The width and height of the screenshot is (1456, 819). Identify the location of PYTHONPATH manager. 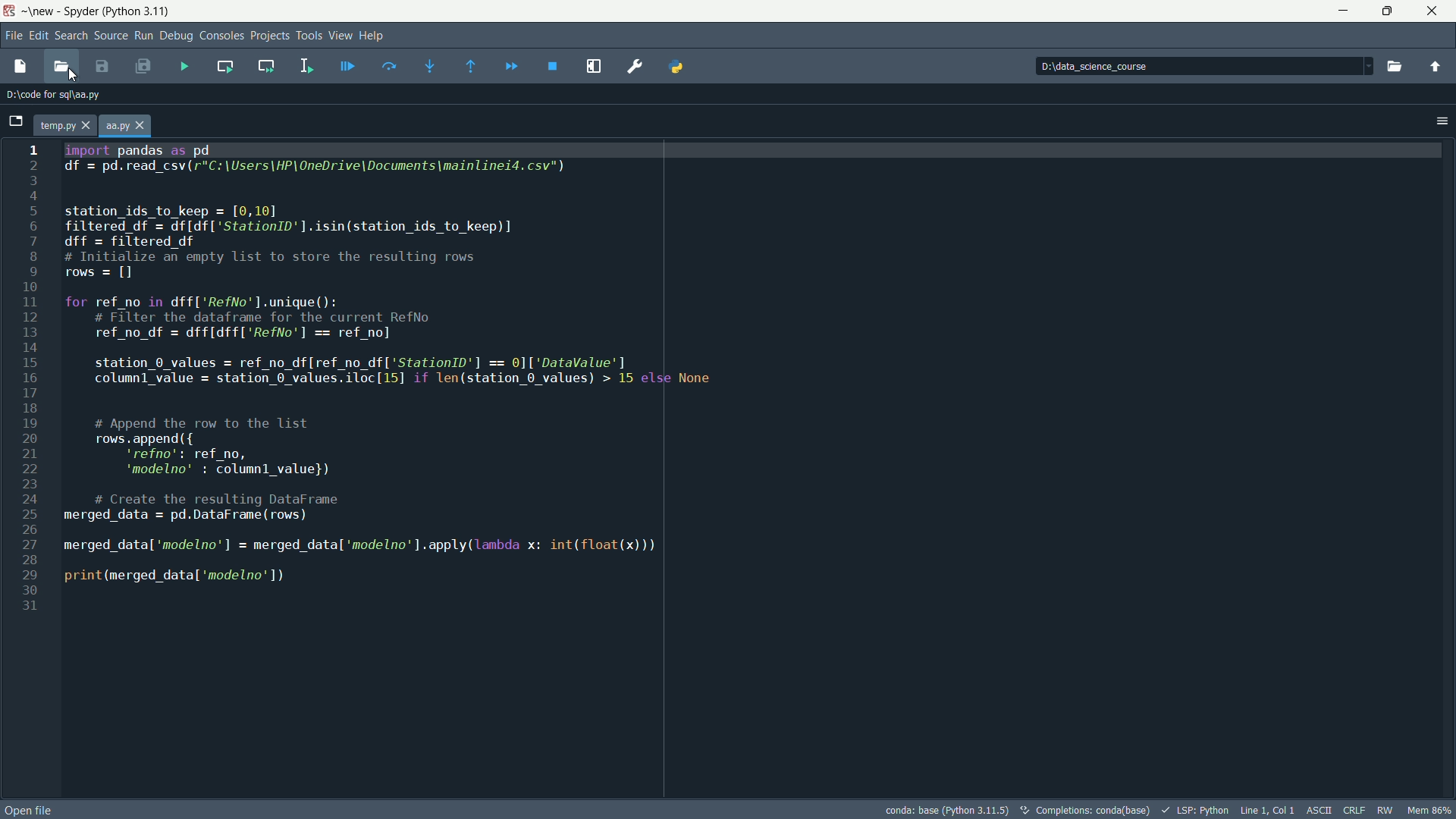
(678, 67).